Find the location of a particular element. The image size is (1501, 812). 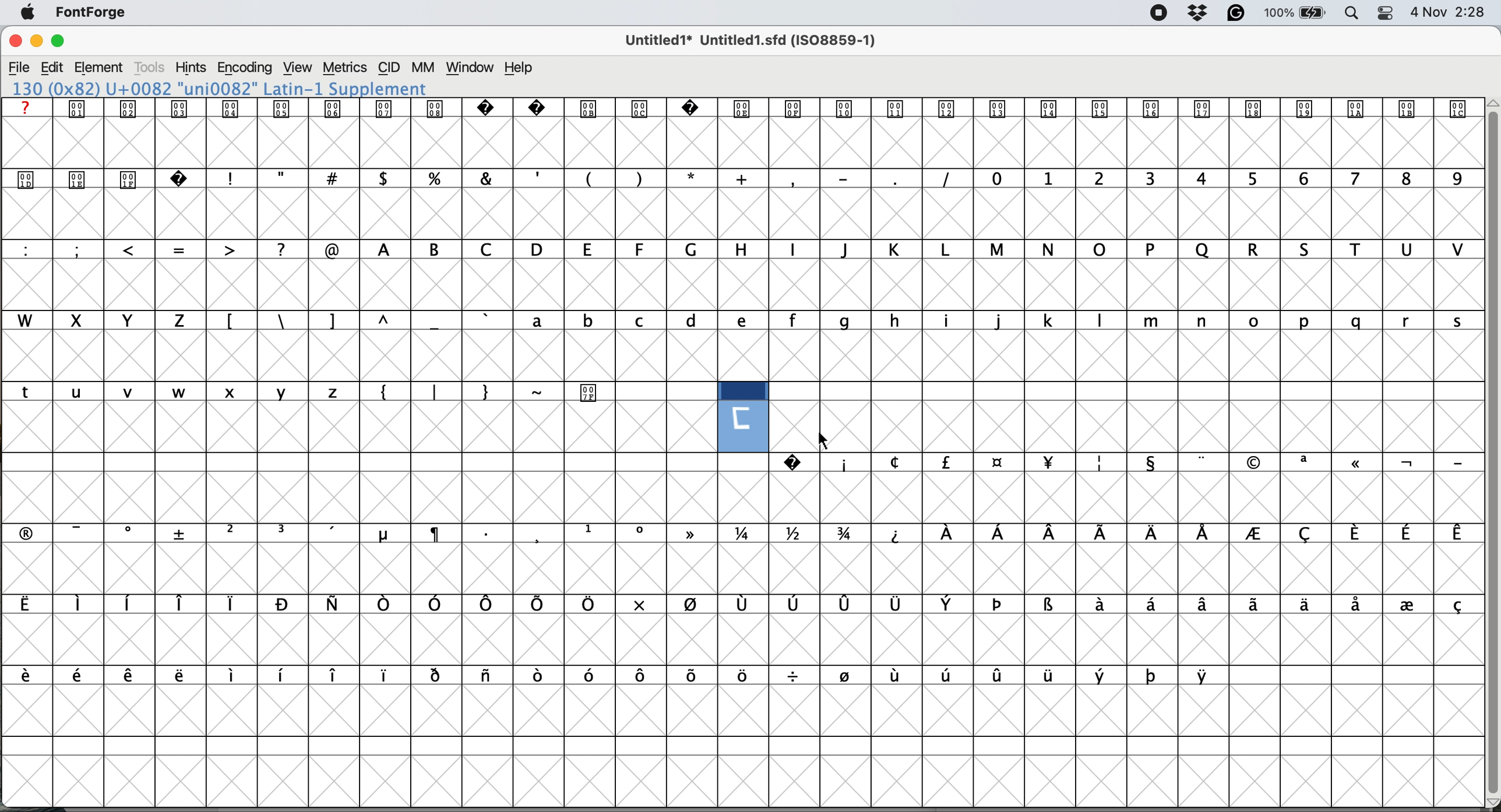

spotlight search is located at coordinates (1349, 15).